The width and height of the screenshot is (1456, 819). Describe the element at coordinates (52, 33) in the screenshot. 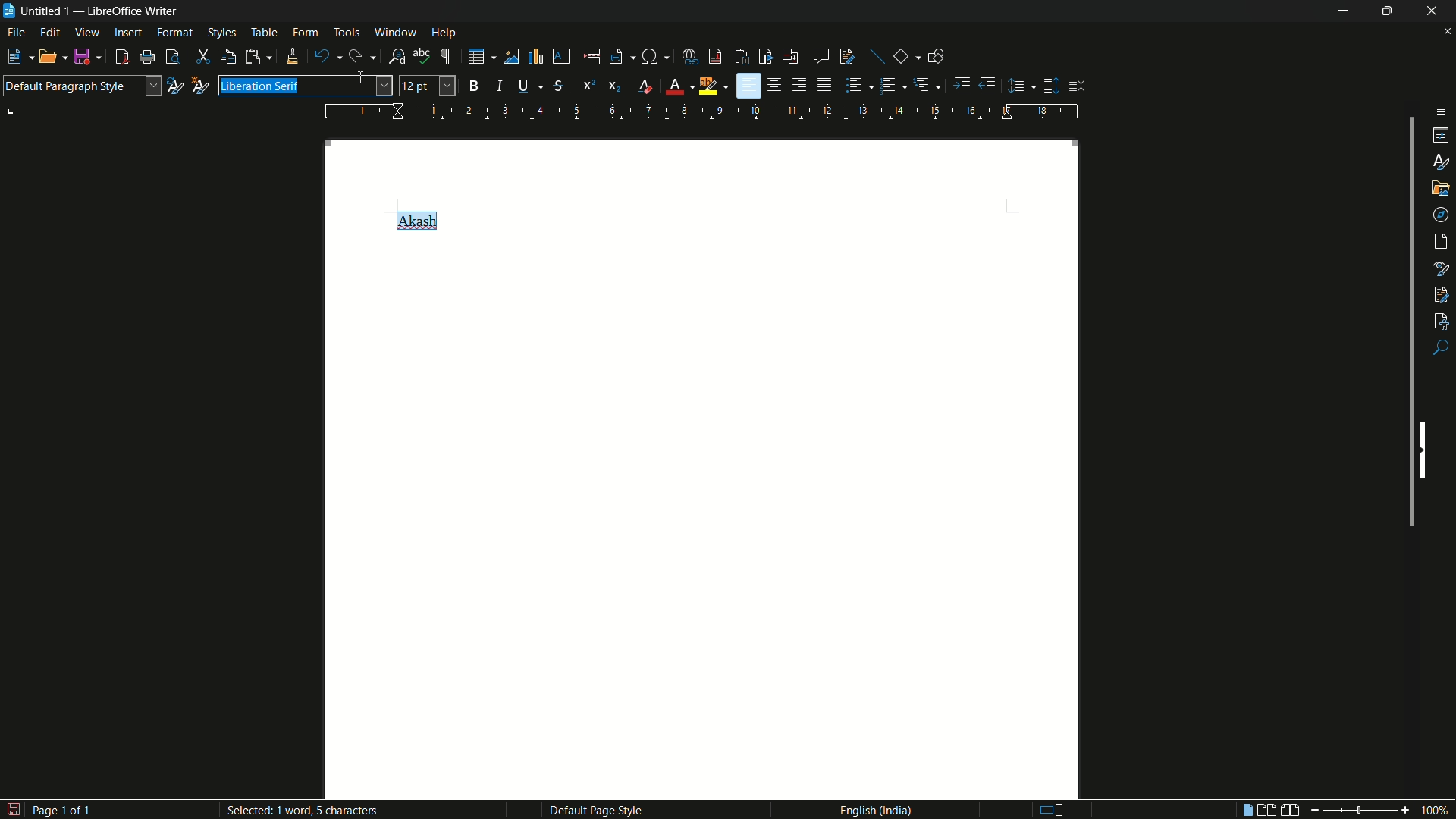

I see `edit menu` at that location.